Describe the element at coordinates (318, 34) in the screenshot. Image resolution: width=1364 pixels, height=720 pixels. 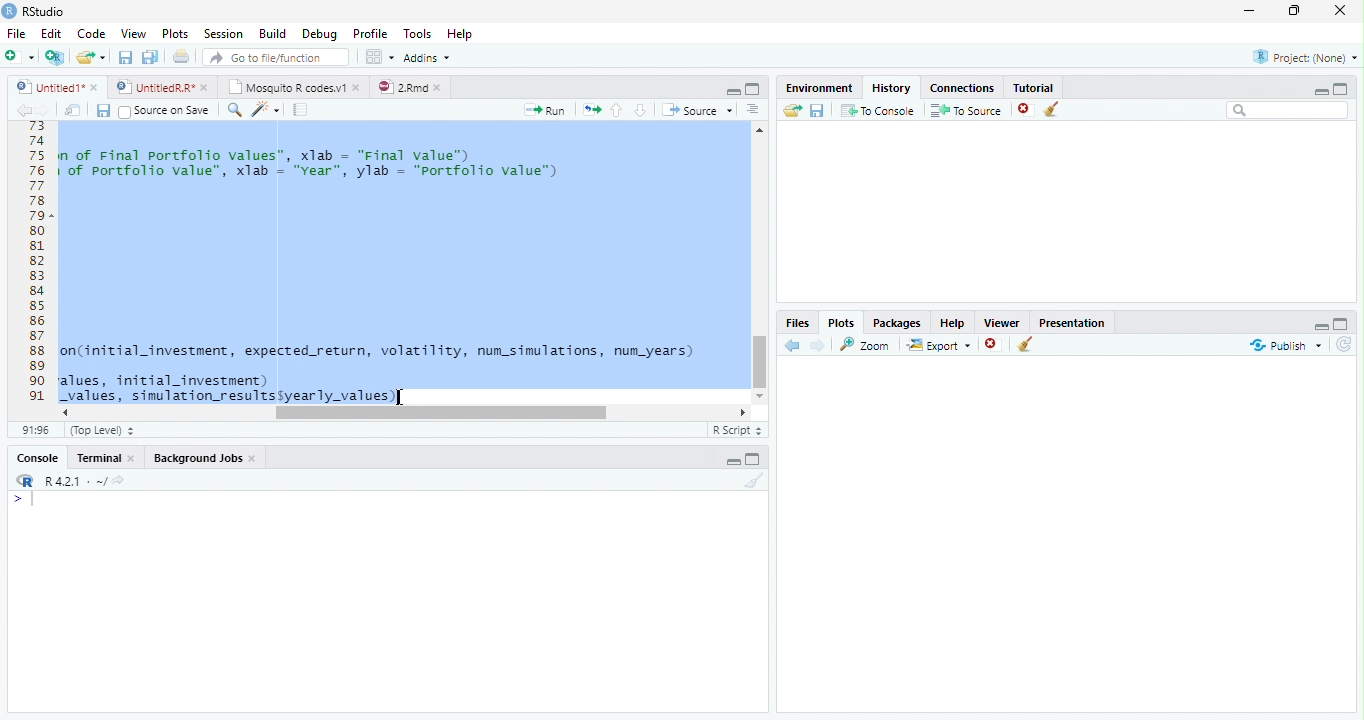
I see `Debug` at that location.